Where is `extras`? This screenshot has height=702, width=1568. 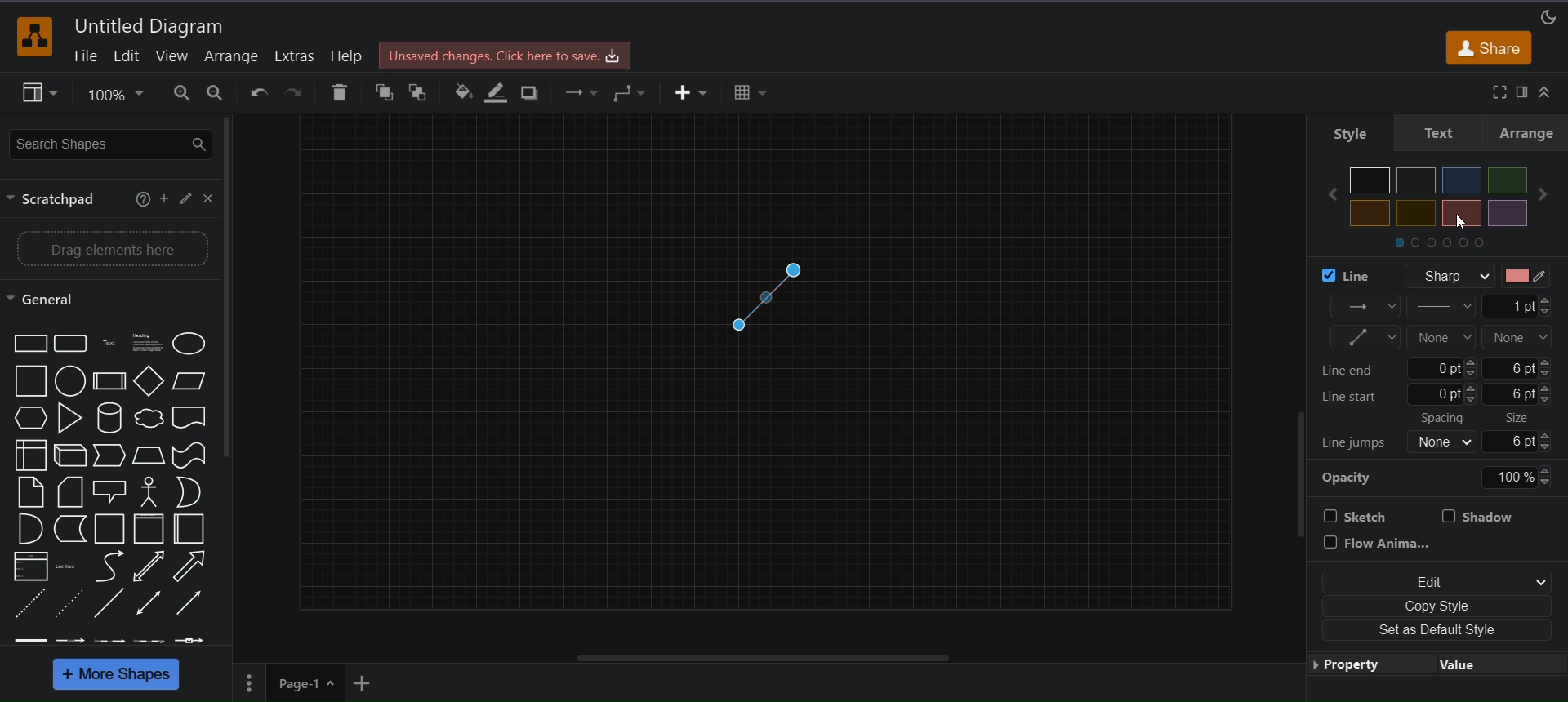
extras is located at coordinates (295, 56).